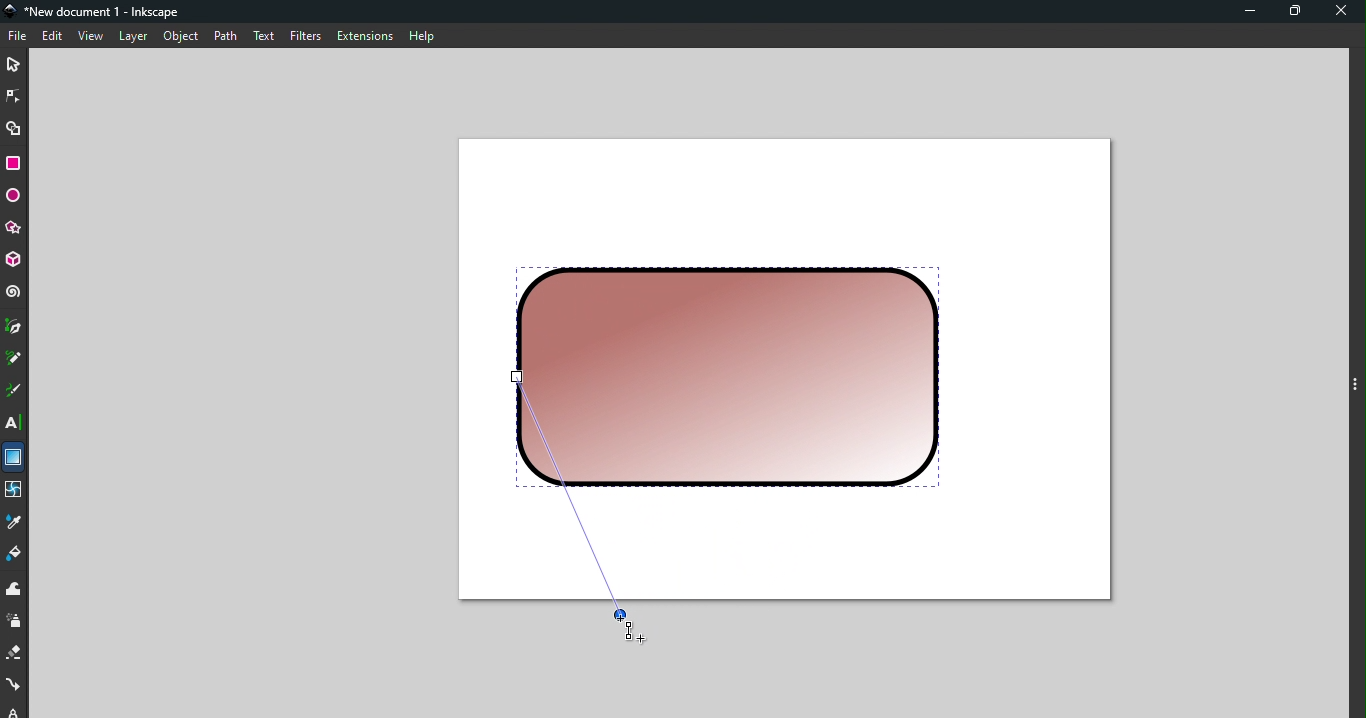 The image size is (1366, 718). Describe the element at coordinates (634, 631) in the screenshot. I see `cursor` at that location.